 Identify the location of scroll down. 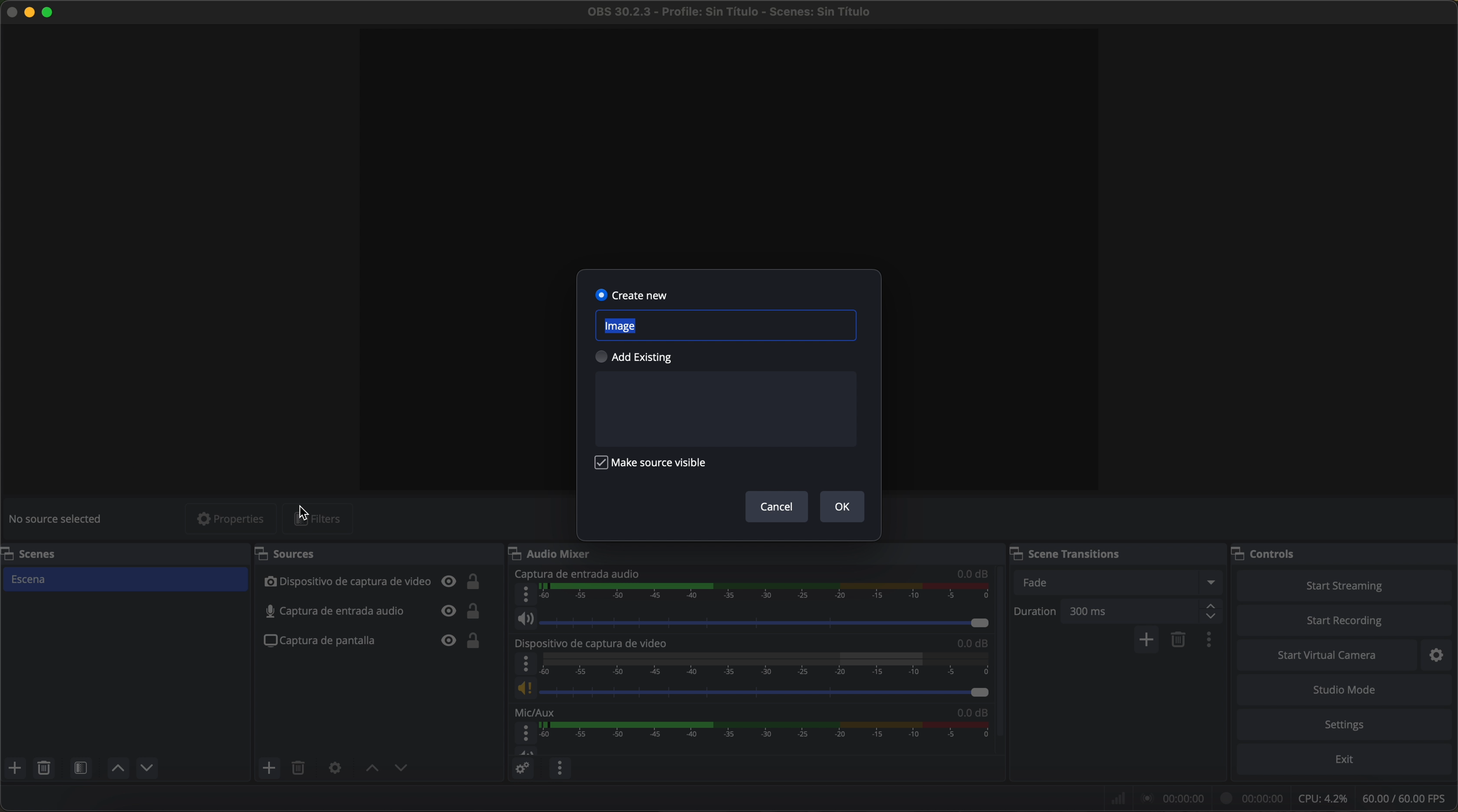
(1001, 640).